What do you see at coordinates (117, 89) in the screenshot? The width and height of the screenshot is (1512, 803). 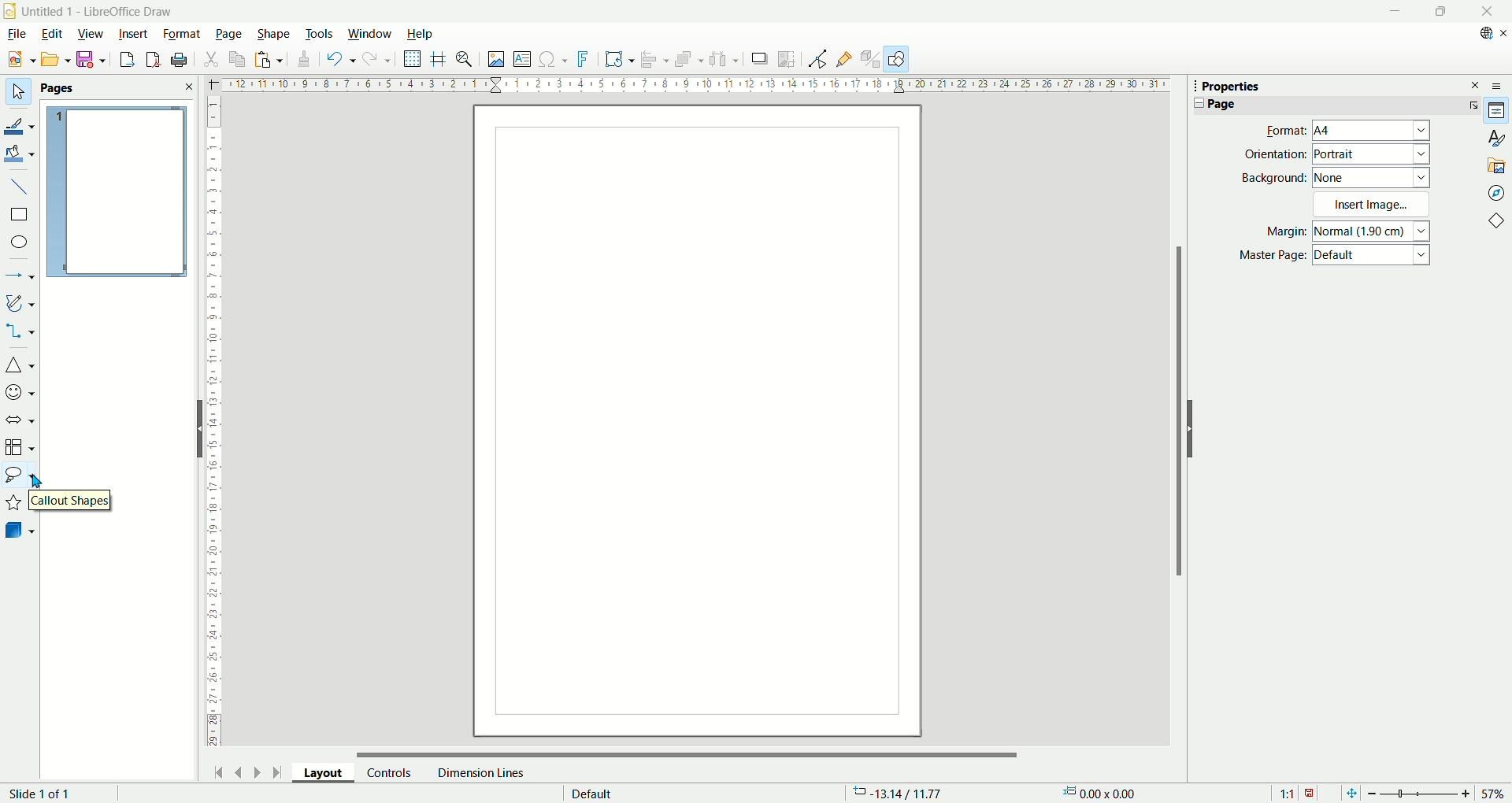 I see `pages` at bounding box center [117, 89].